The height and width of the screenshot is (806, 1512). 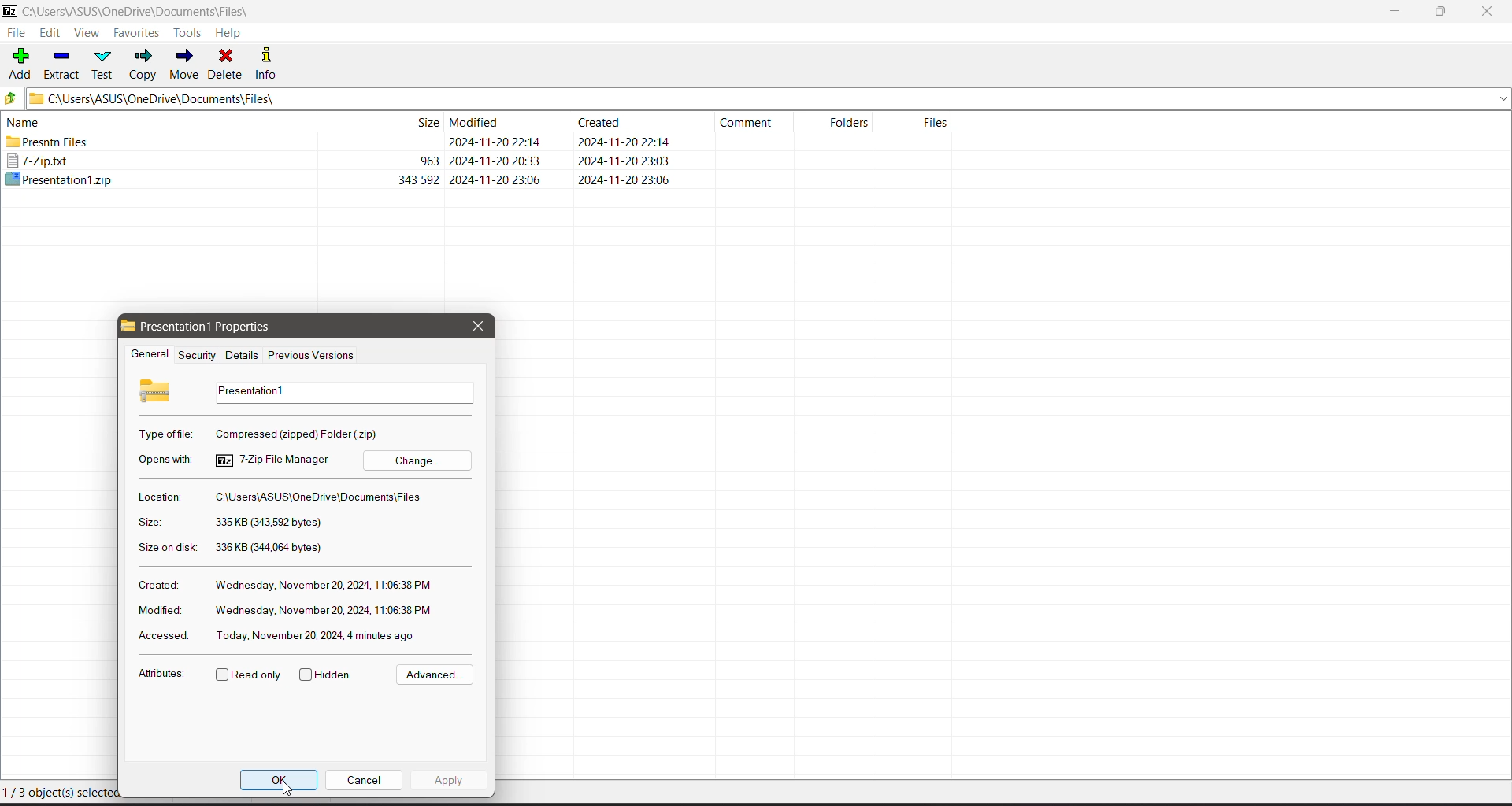 I want to click on Hidden- click to enable/disable, so click(x=328, y=675).